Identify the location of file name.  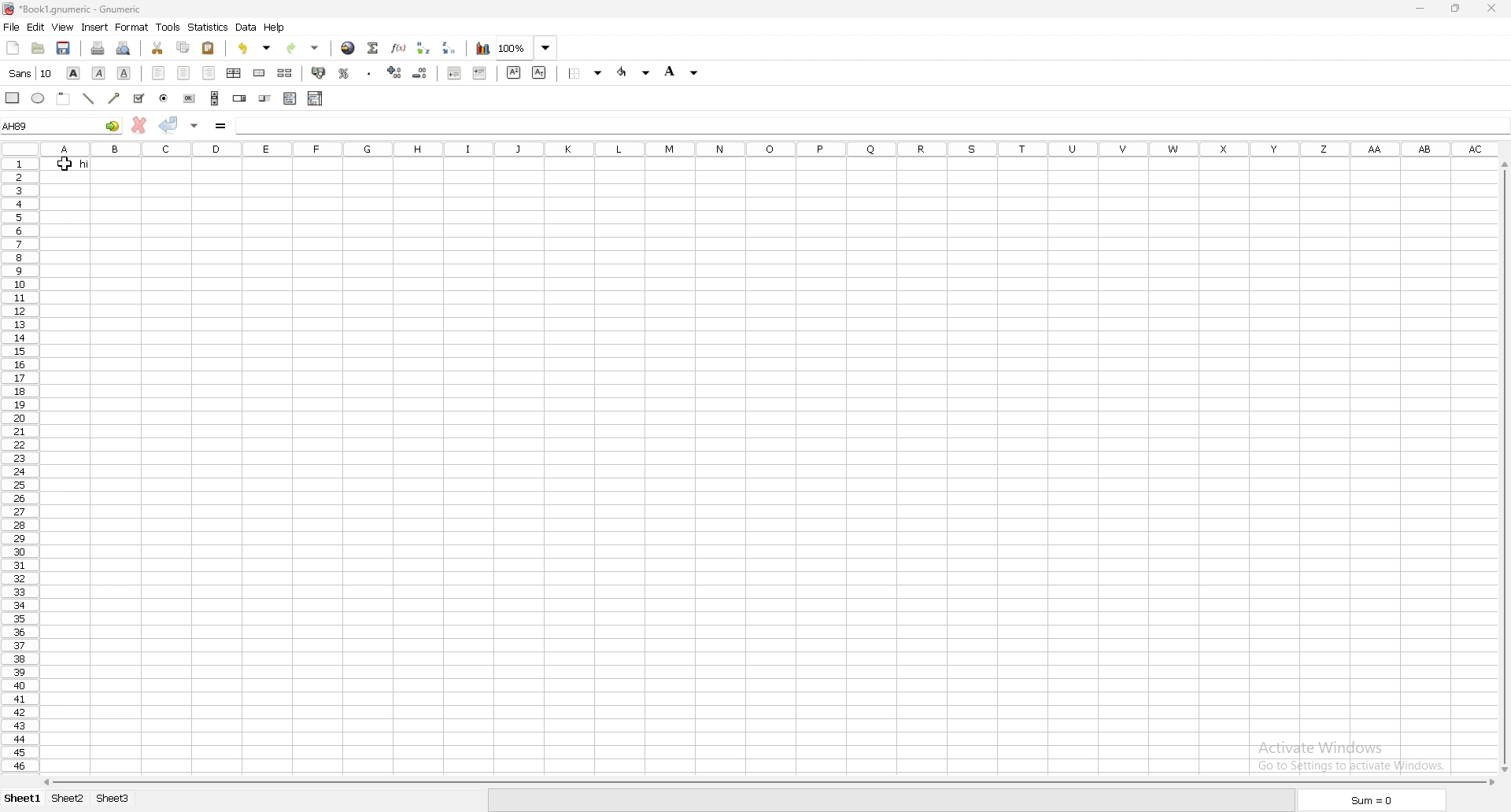
(75, 9).